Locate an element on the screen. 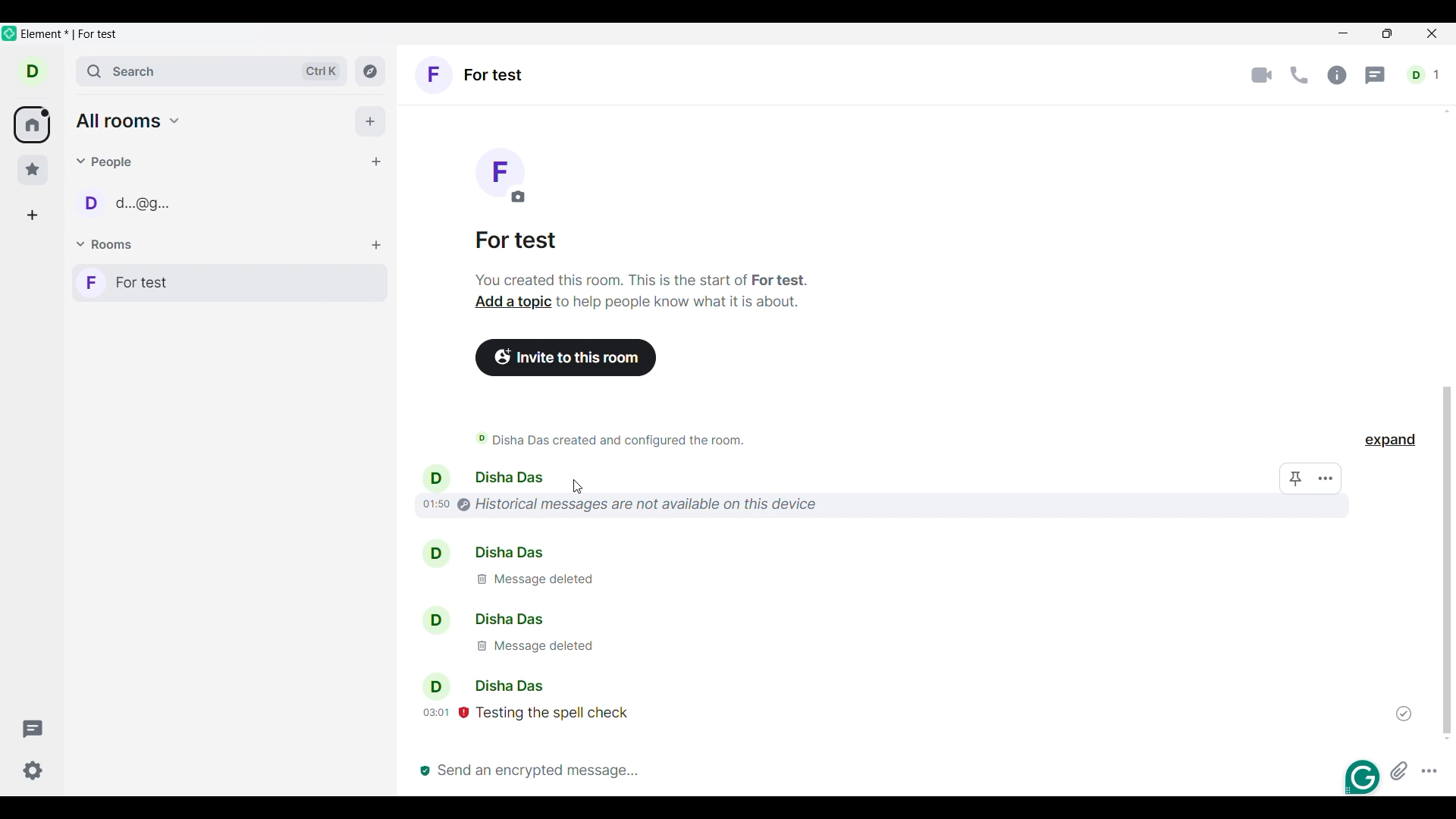 This screenshot has width=1456, height=819. Video call is located at coordinates (1262, 76).